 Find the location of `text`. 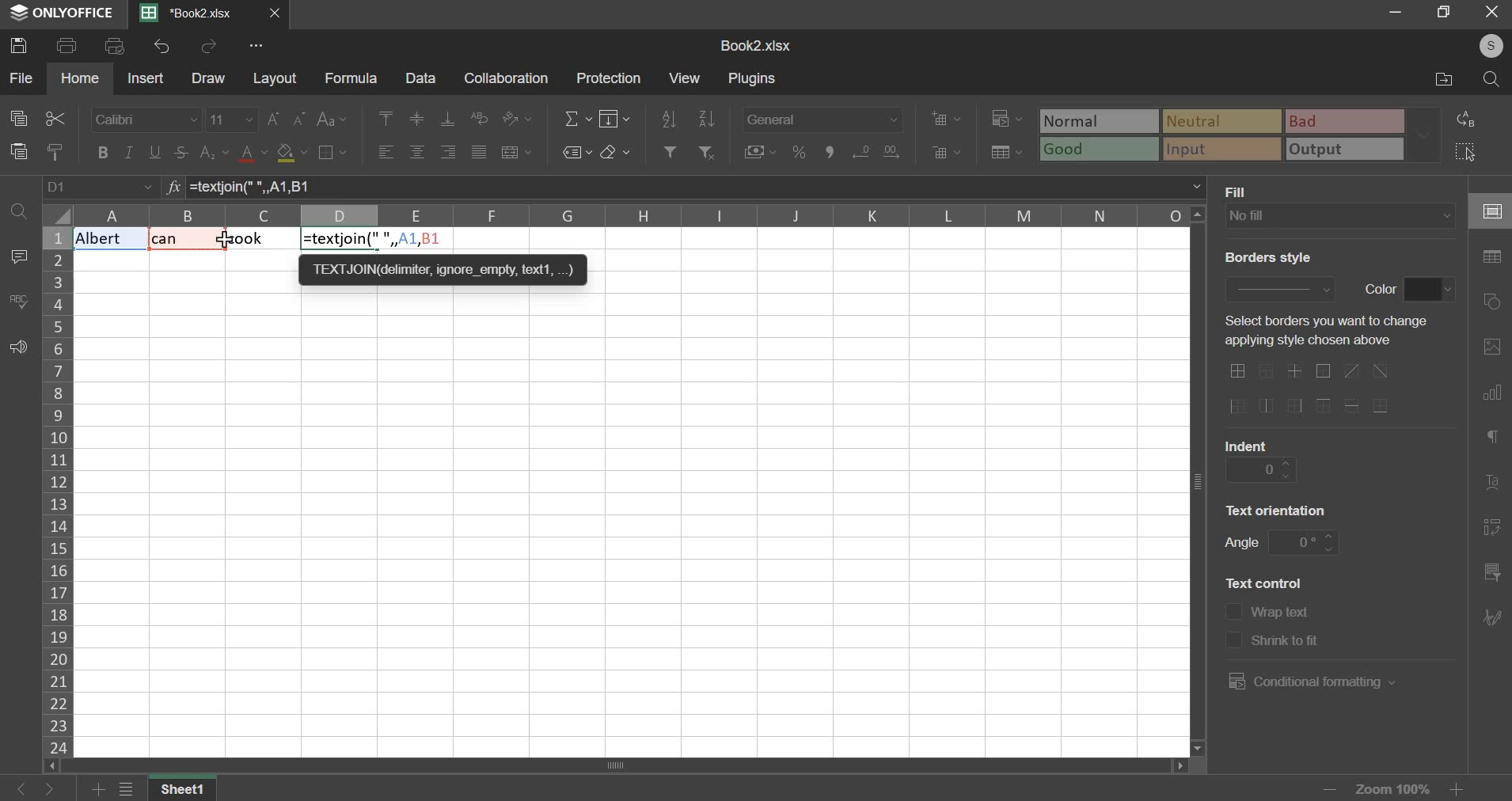

text is located at coordinates (1278, 509).